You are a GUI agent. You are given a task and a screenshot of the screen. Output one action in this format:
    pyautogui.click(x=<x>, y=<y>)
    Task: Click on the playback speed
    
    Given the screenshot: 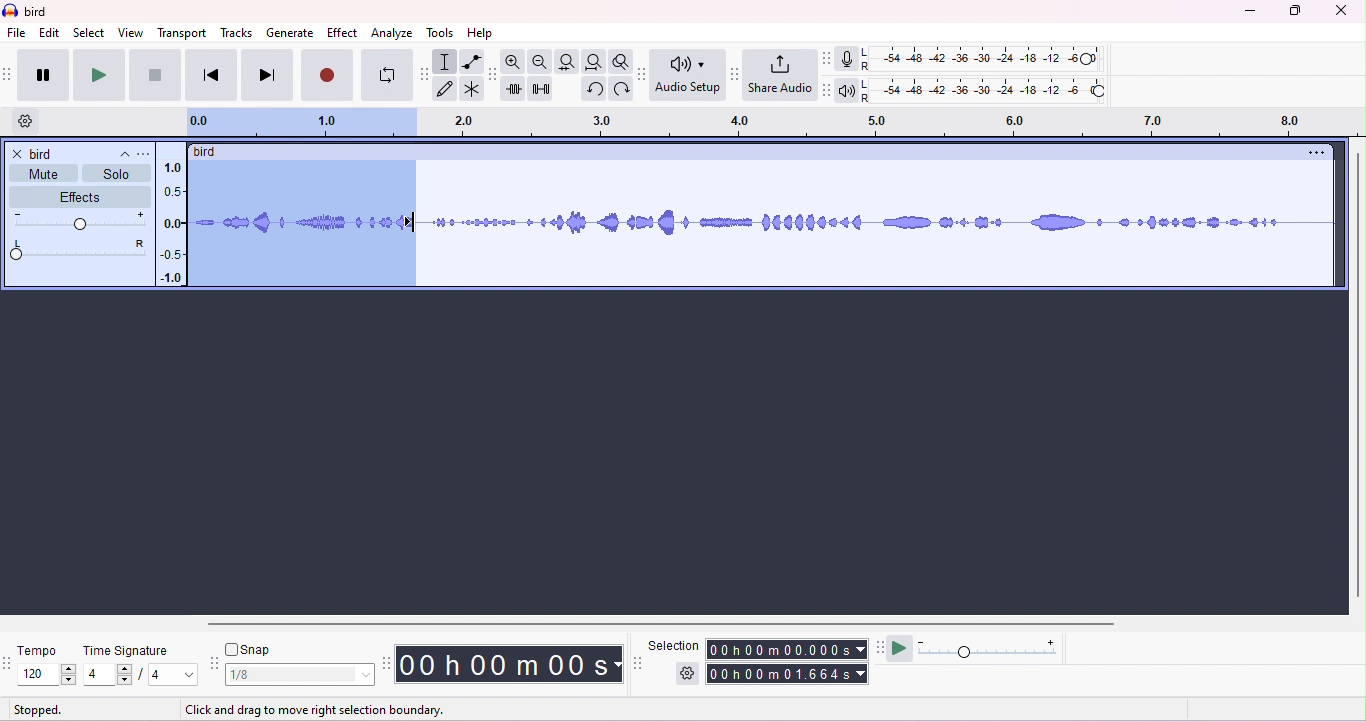 What is the action you would take?
    pyautogui.click(x=993, y=647)
    